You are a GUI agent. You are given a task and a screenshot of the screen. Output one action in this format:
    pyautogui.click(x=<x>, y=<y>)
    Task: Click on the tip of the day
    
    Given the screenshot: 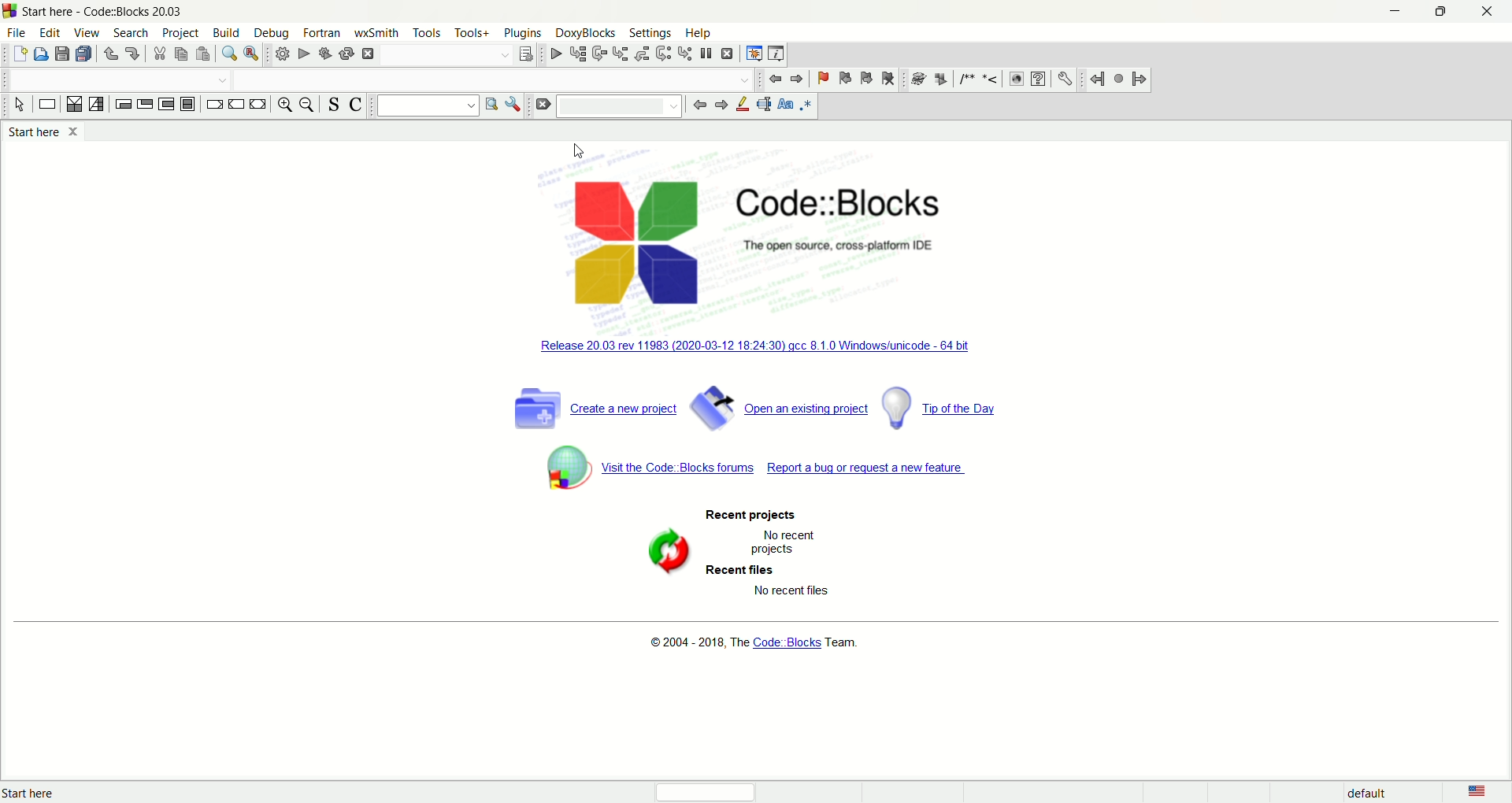 What is the action you would take?
    pyautogui.click(x=947, y=409)
    